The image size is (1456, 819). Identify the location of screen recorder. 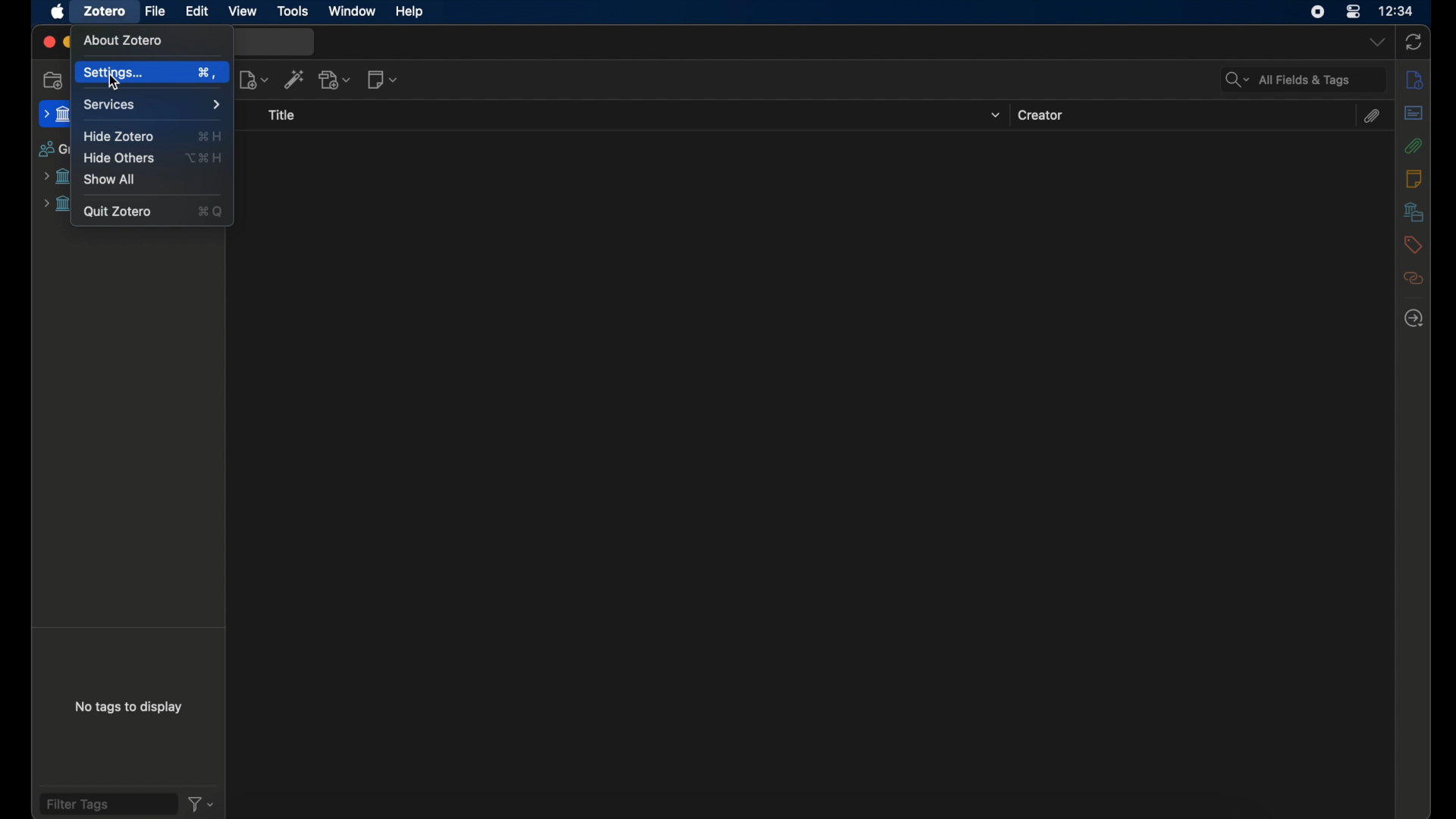
(1314, 13).